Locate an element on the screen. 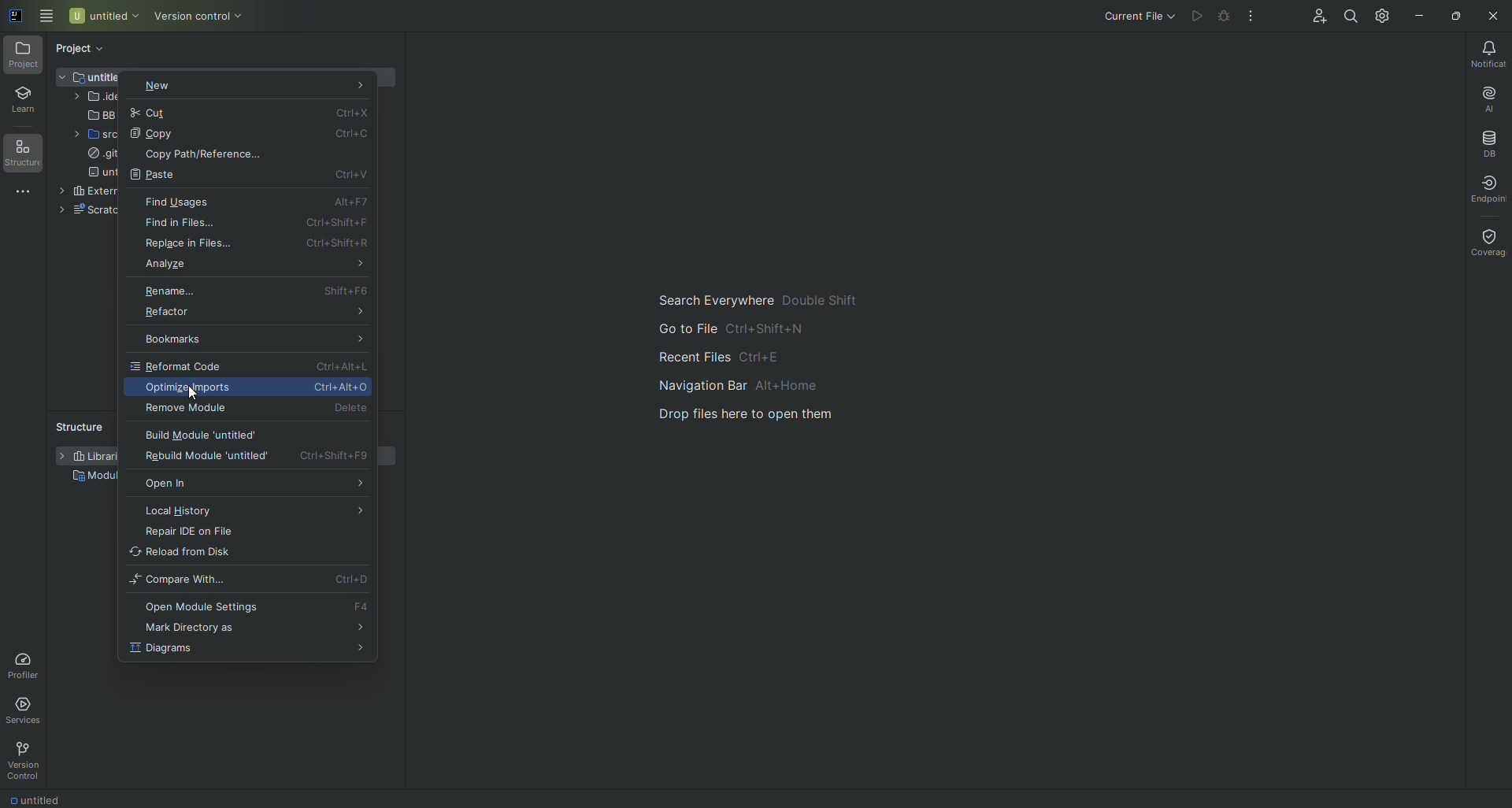  Project is located at coordinates (24, 56).